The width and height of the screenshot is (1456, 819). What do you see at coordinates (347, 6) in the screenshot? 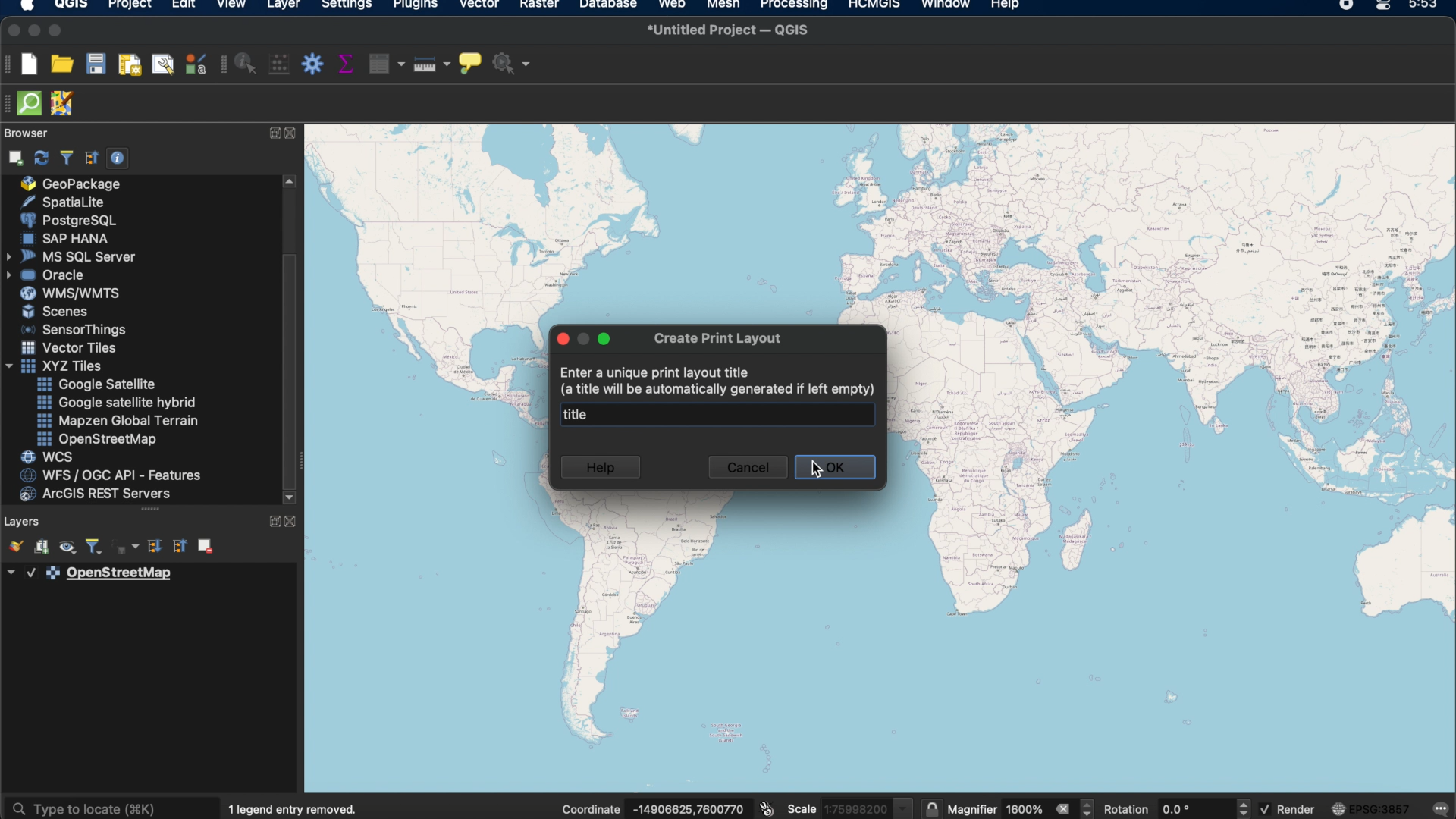
I see `settings` at bounding box center [347, 6].